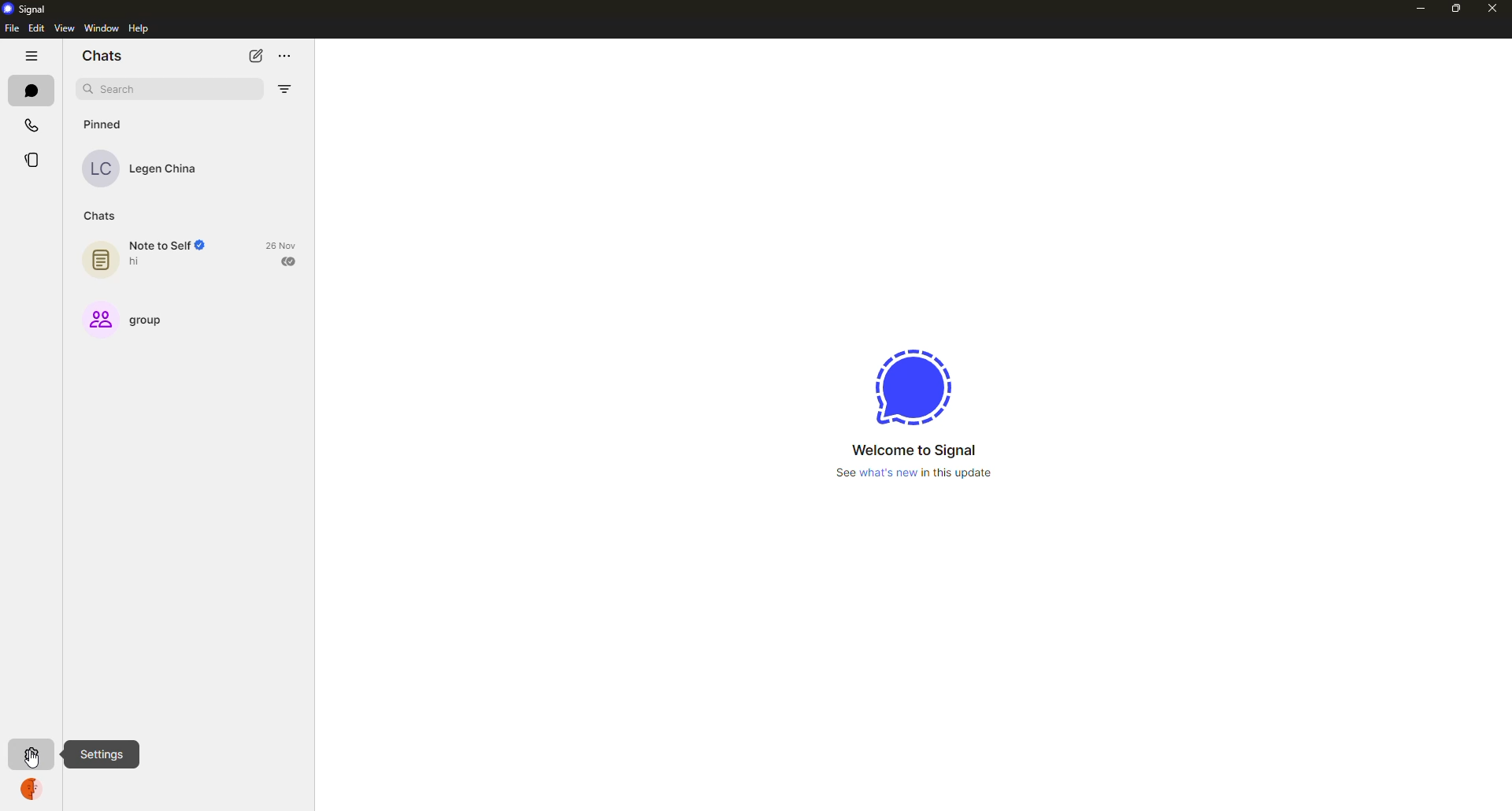 The height and width of the screenshot is (811, 1512). What do you see at coordinates (27, 8) in the screenshot?
I see `signal` at bounding box center [27, 8].